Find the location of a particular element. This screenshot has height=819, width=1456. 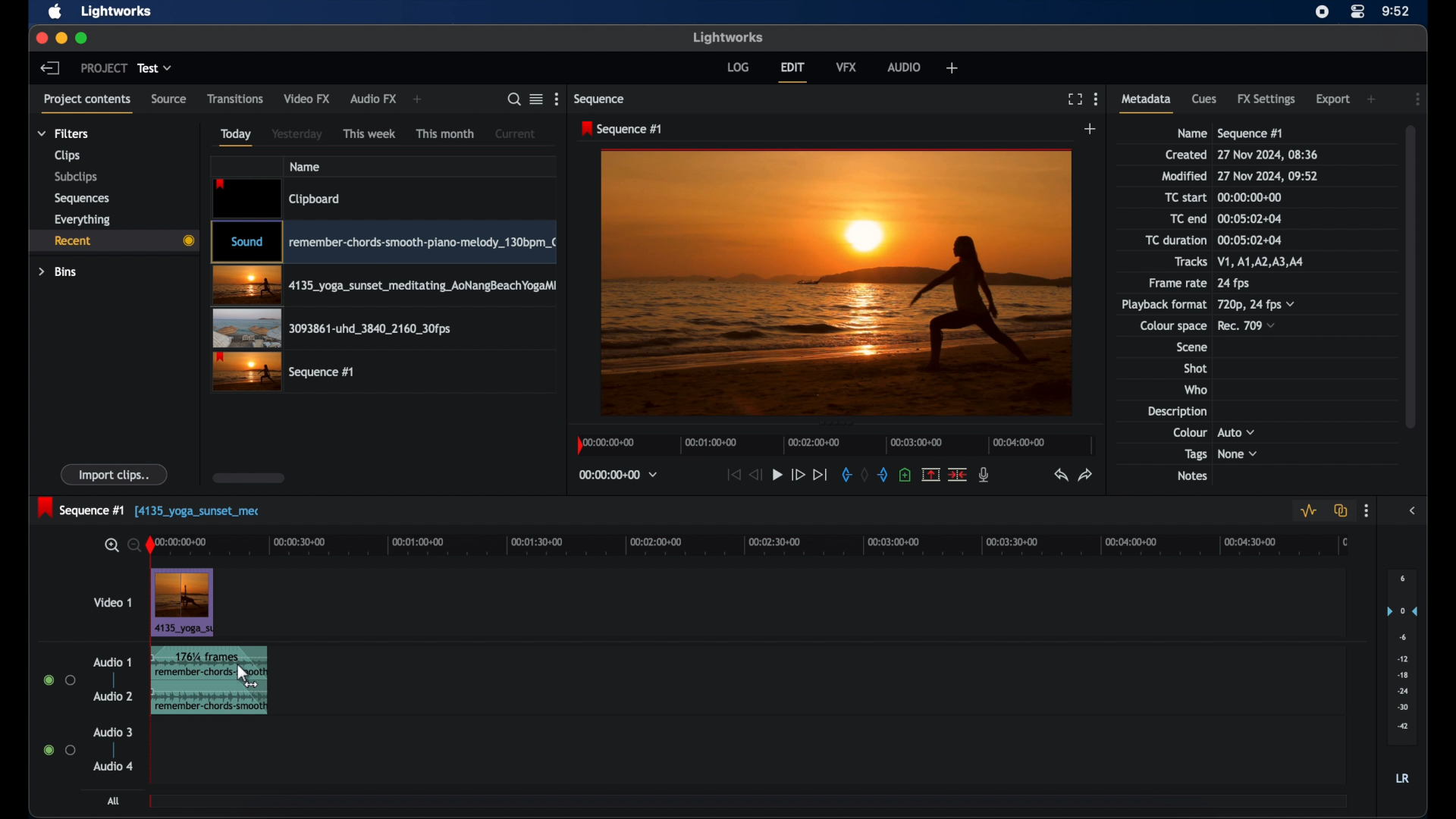

sequences is located at coordinates (82, 199).